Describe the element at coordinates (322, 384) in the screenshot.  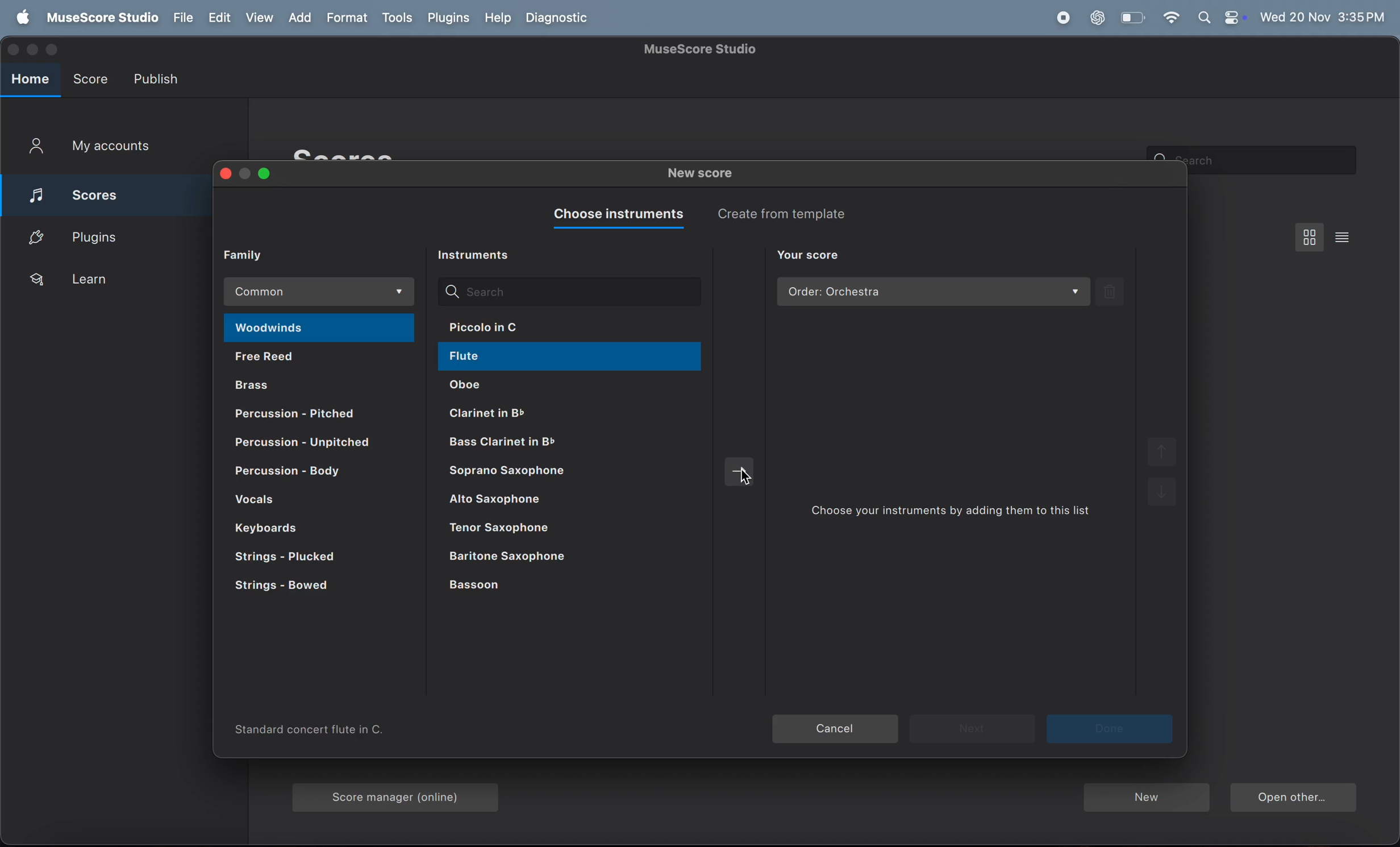
I see `brass` at that location.